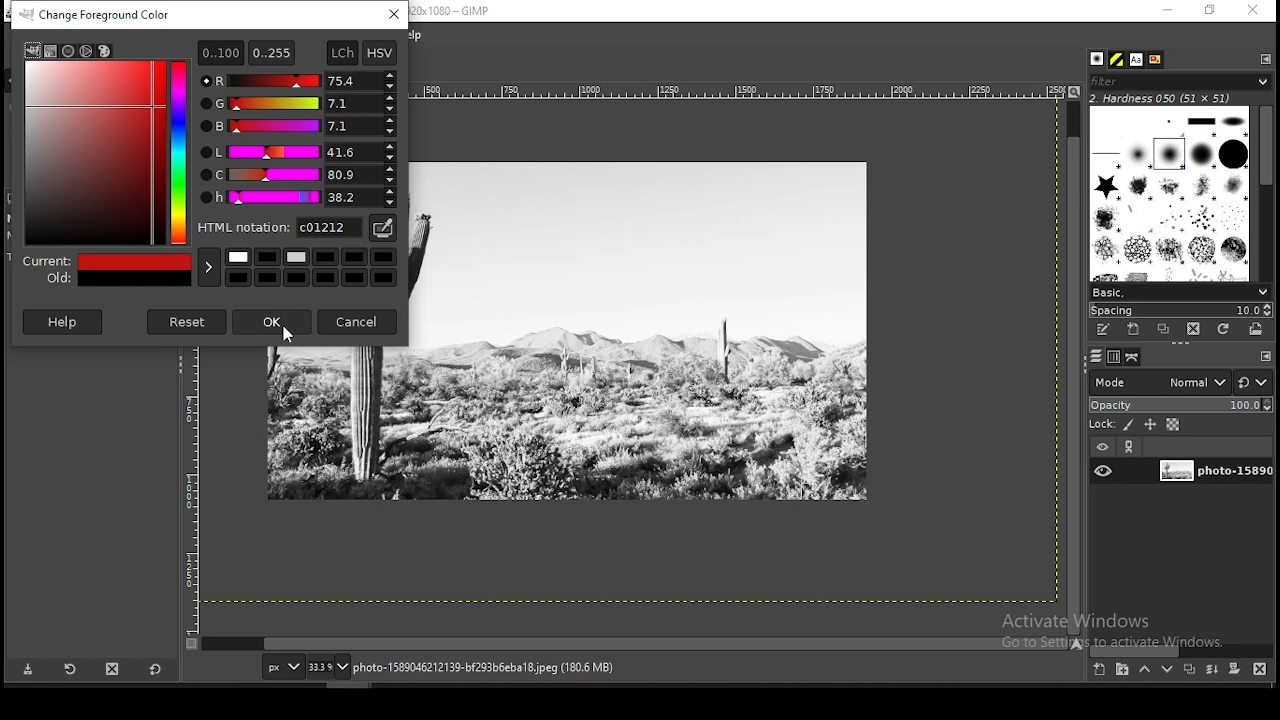 This screenshot has width=1280, height=720. I want to click on html notation, so click(278, 227).